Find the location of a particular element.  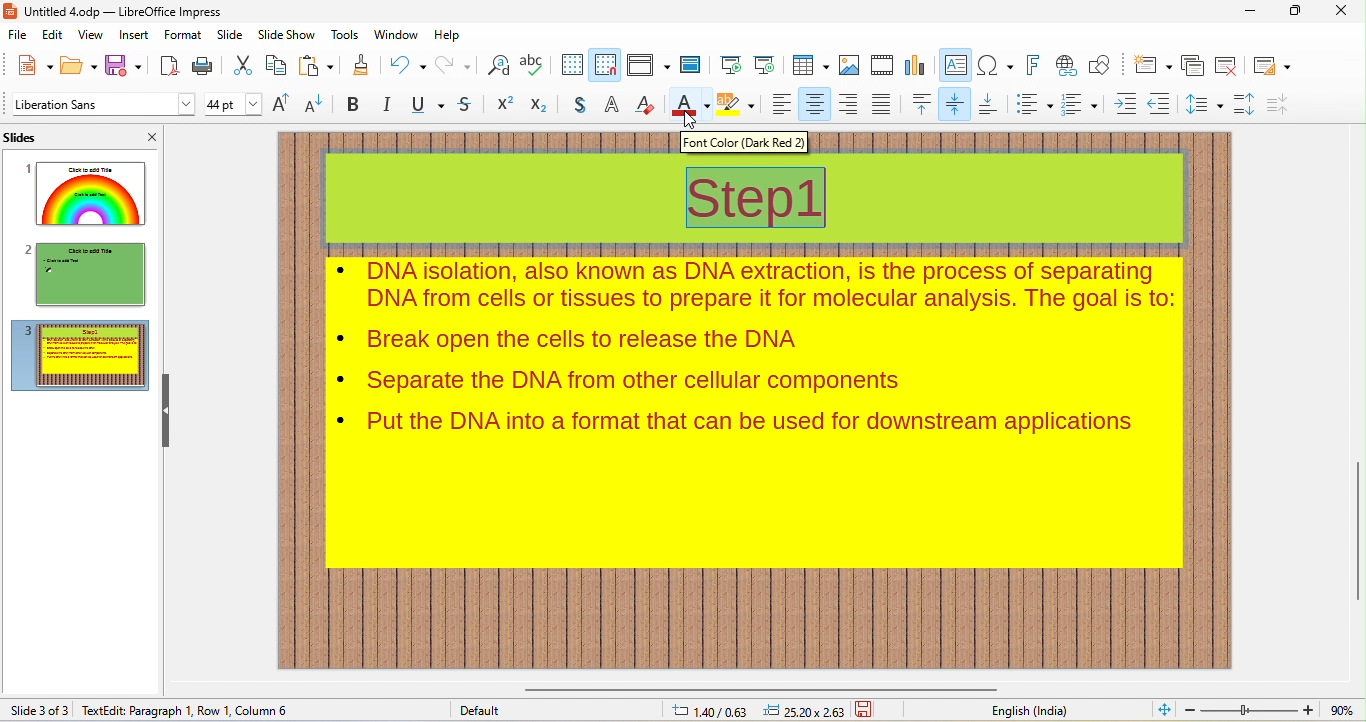

italics is located at coordinates (388, 106).